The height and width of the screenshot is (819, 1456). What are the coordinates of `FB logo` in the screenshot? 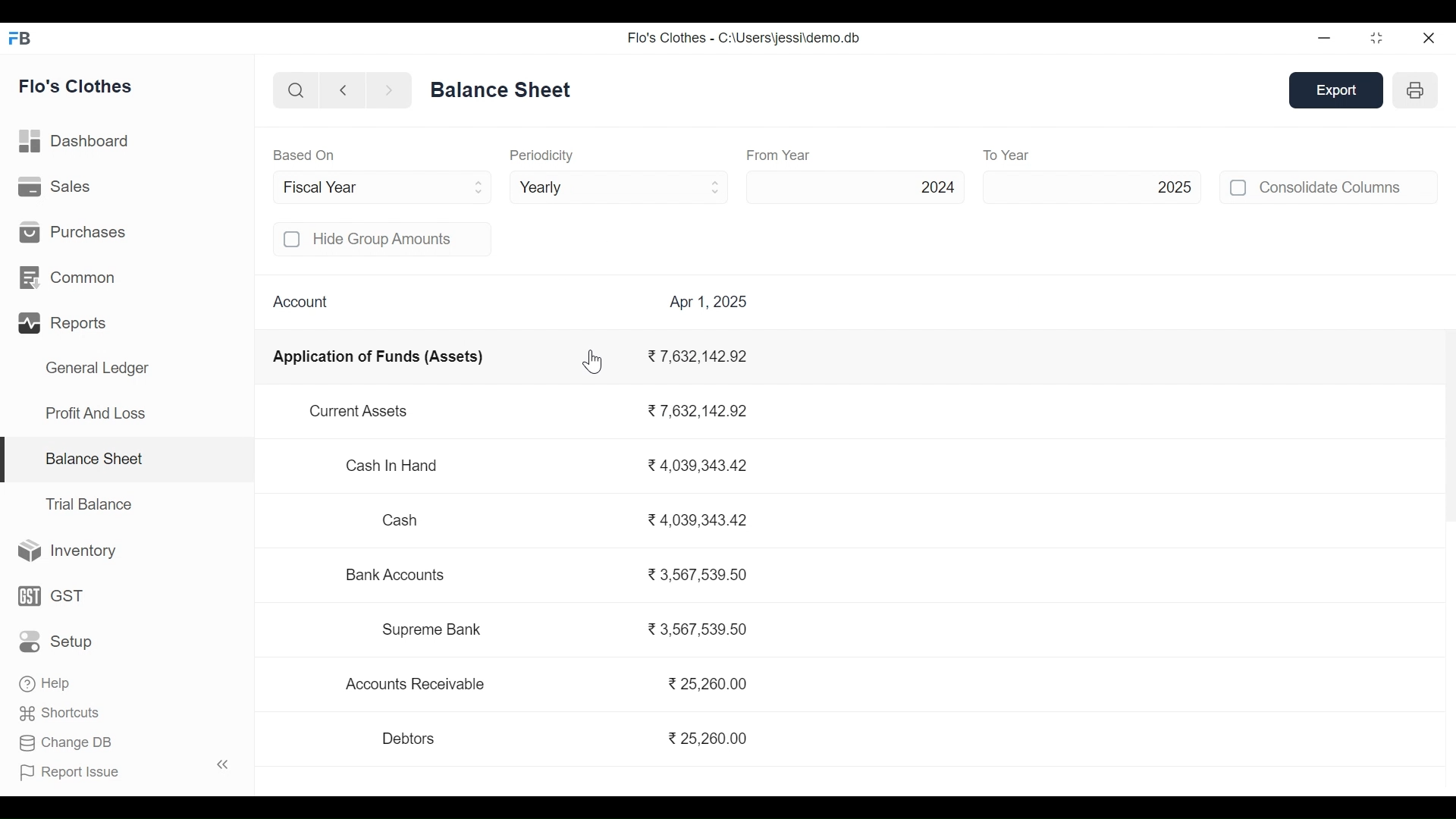 It's located at (20, 37).